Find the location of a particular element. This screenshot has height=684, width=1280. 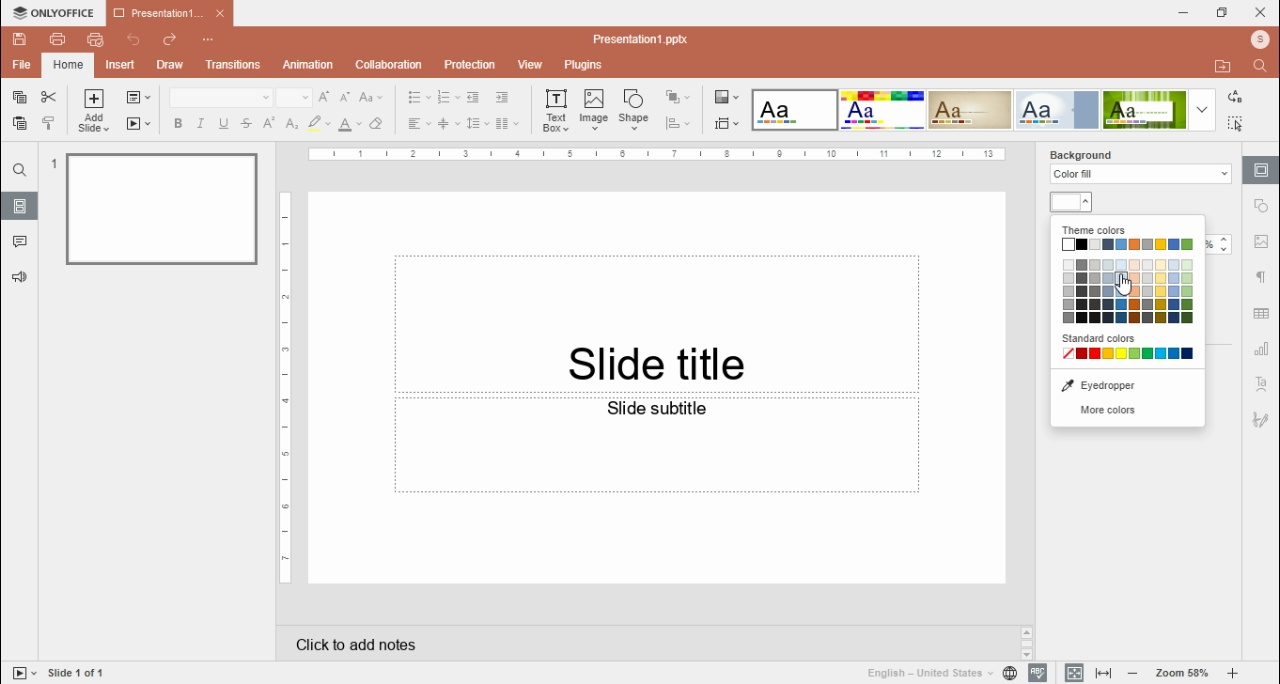

eyedropper is located at coordinates (1096, 386).